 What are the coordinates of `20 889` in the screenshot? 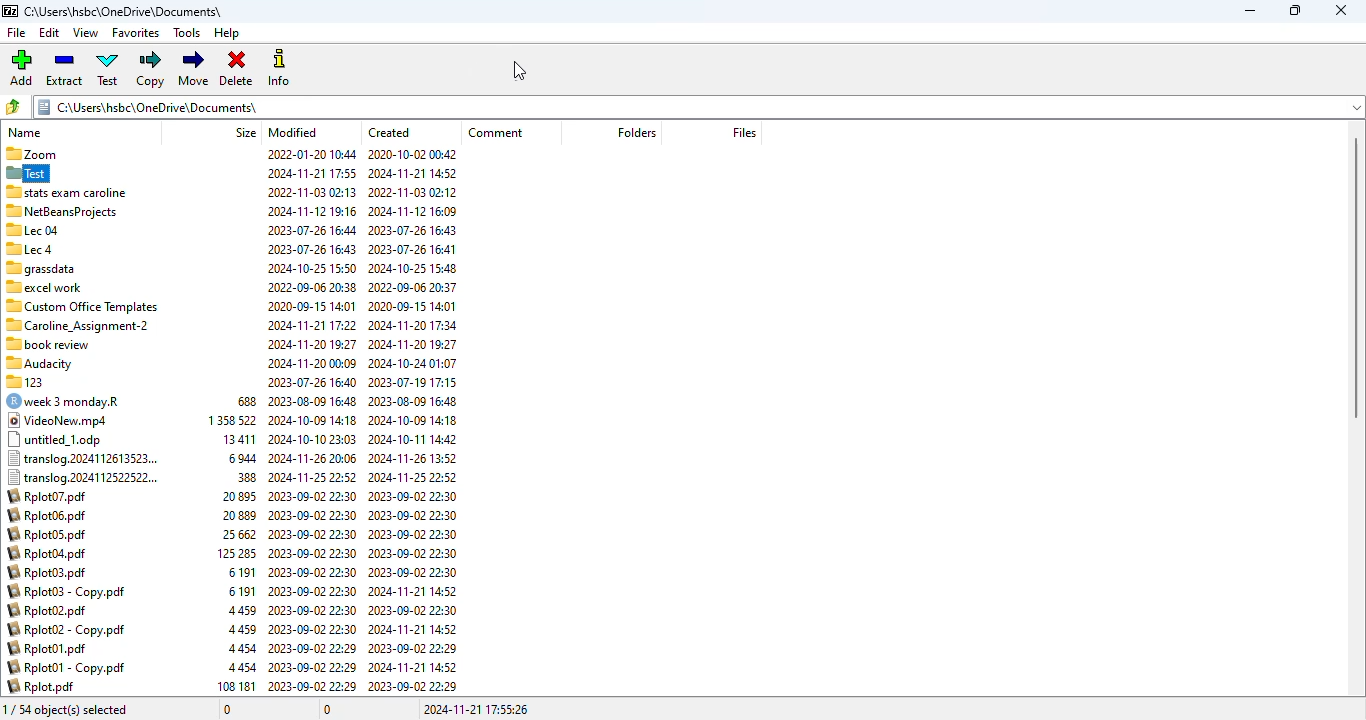 It's located at (240, 515).